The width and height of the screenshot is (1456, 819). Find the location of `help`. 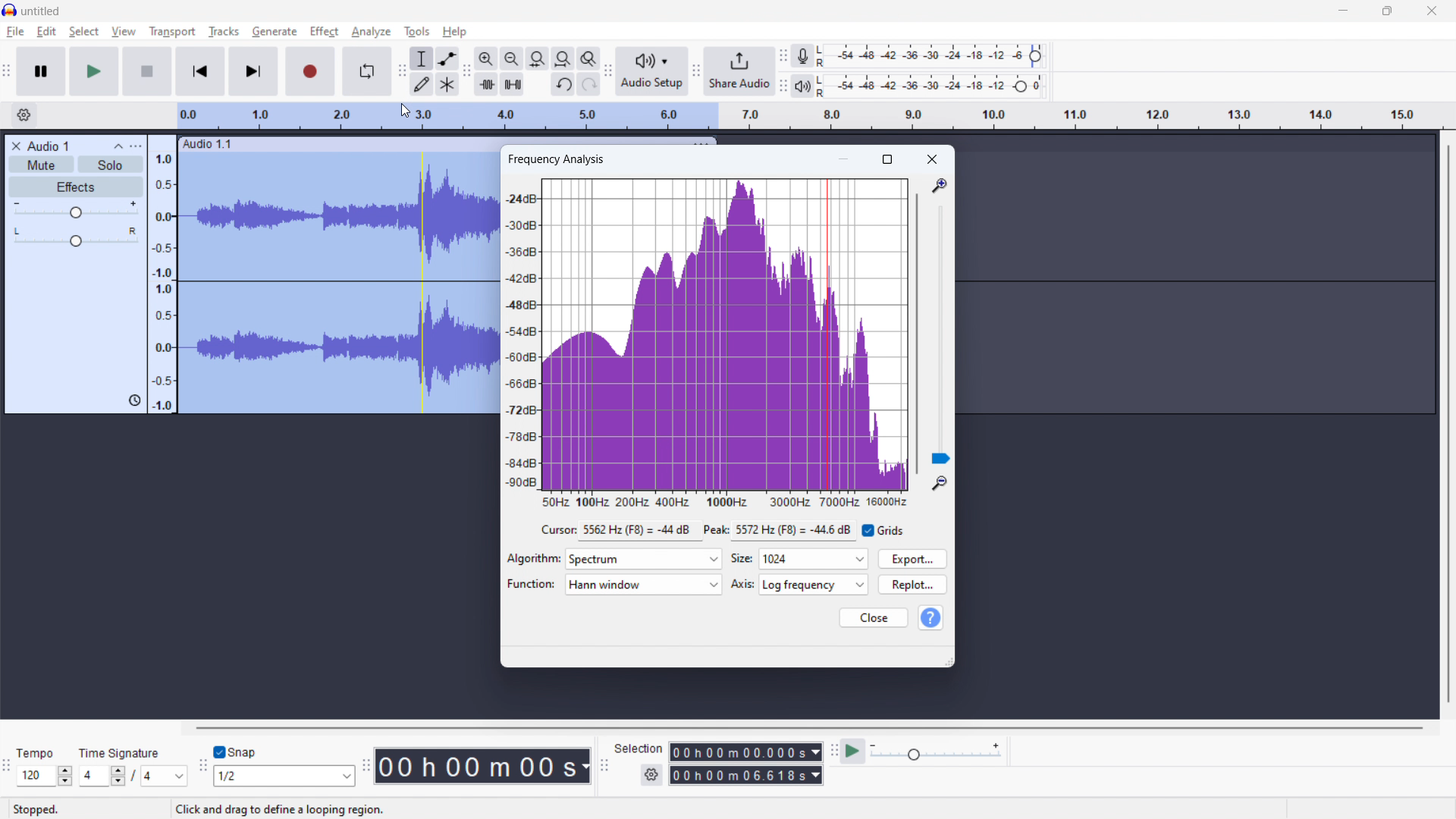

help is located at coordinates (455, 31).